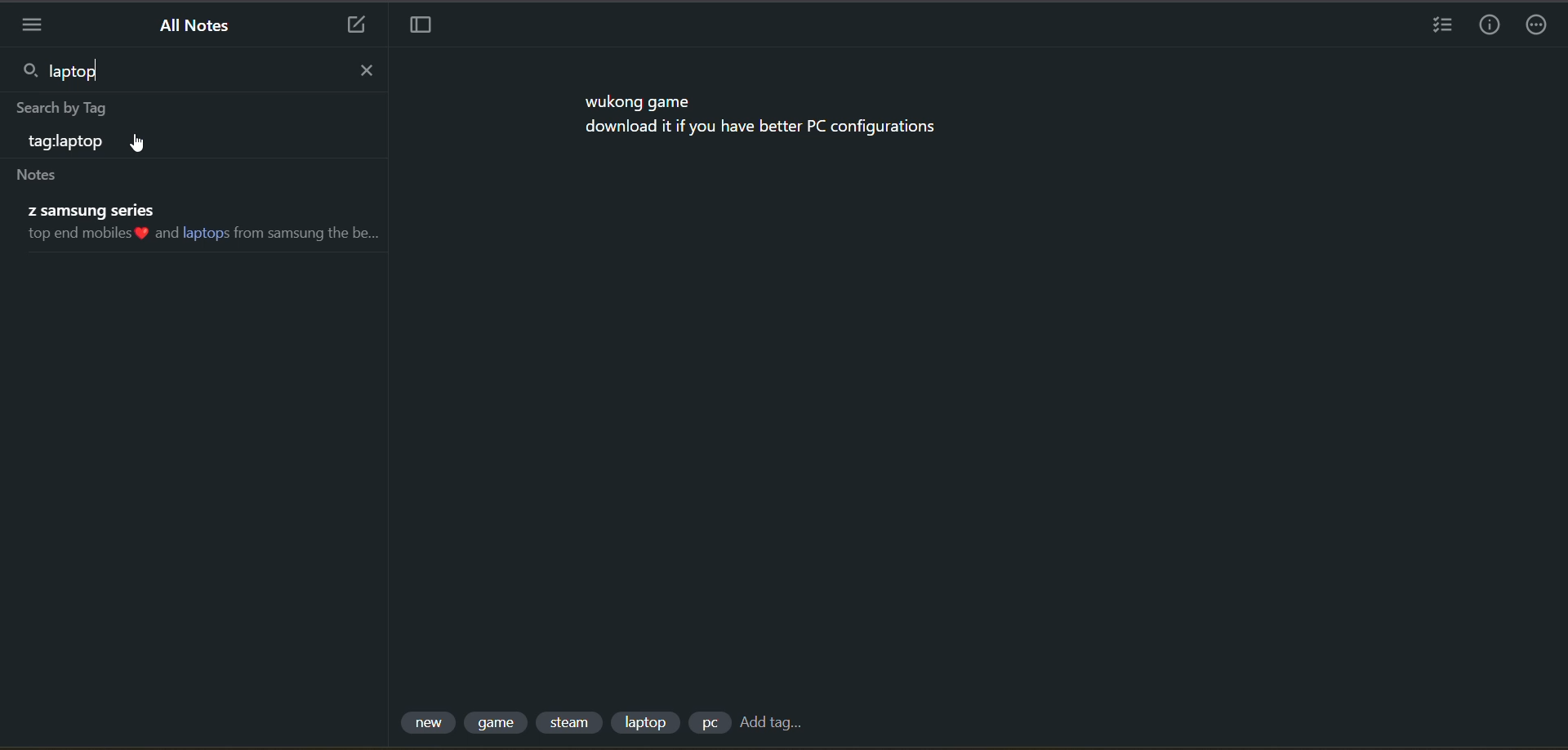 Image resolution: width=1568 pixels, height=750 pixels. What do you see at coordinates (426, 721) in the screenshot?
I see `tag 1` at bounding box center [426, 721].